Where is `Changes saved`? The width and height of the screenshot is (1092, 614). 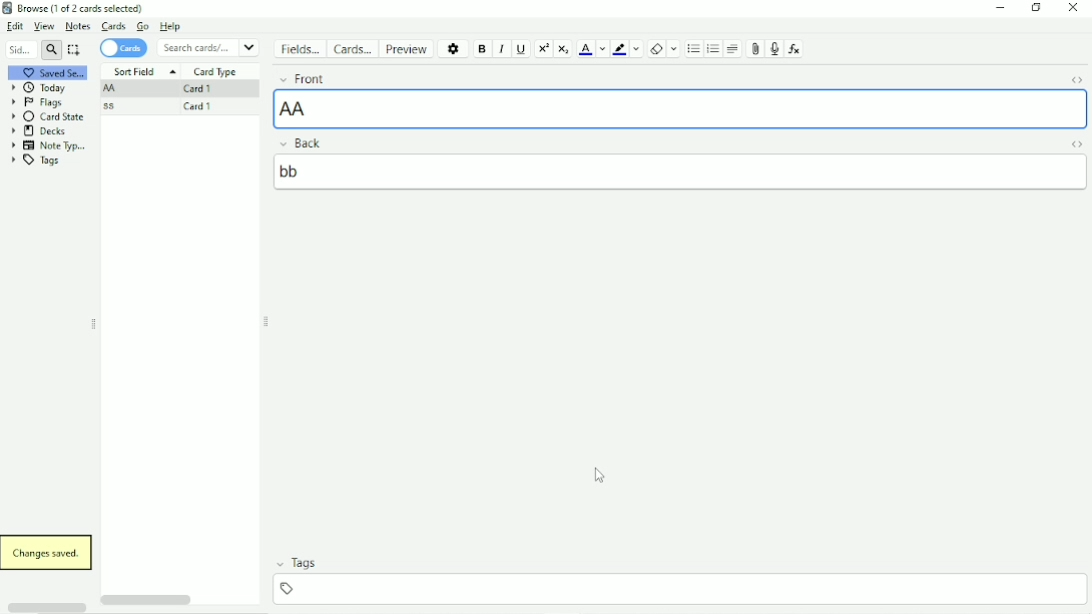
Changes saved is located at coordinates (49, 552).